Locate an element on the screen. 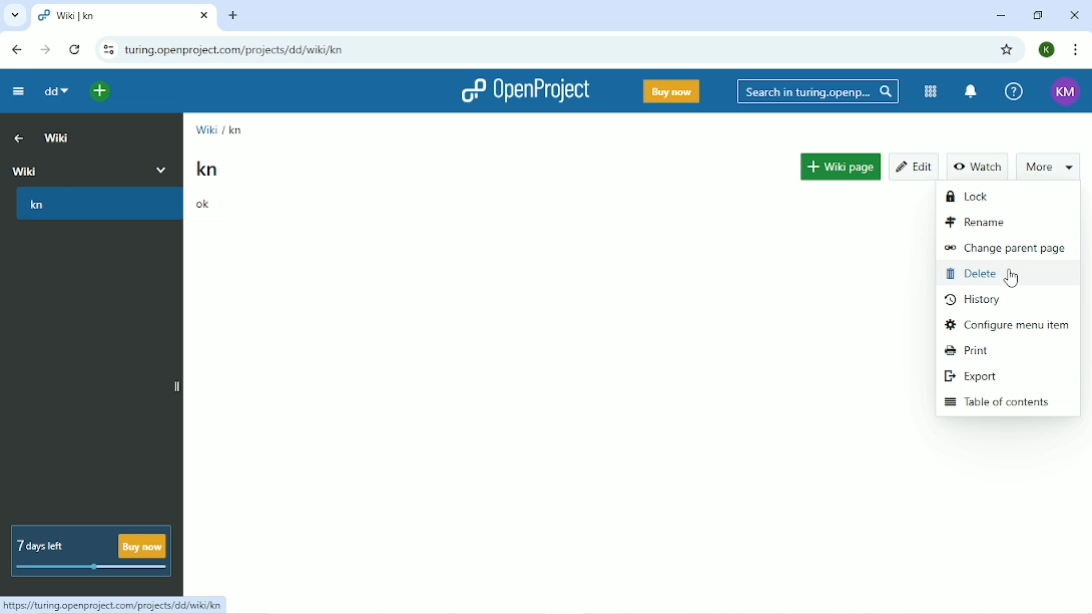 Image resolution: width=1092 pixels, height=614 pixels. Change parent page is located at coordinates (1005, 249).